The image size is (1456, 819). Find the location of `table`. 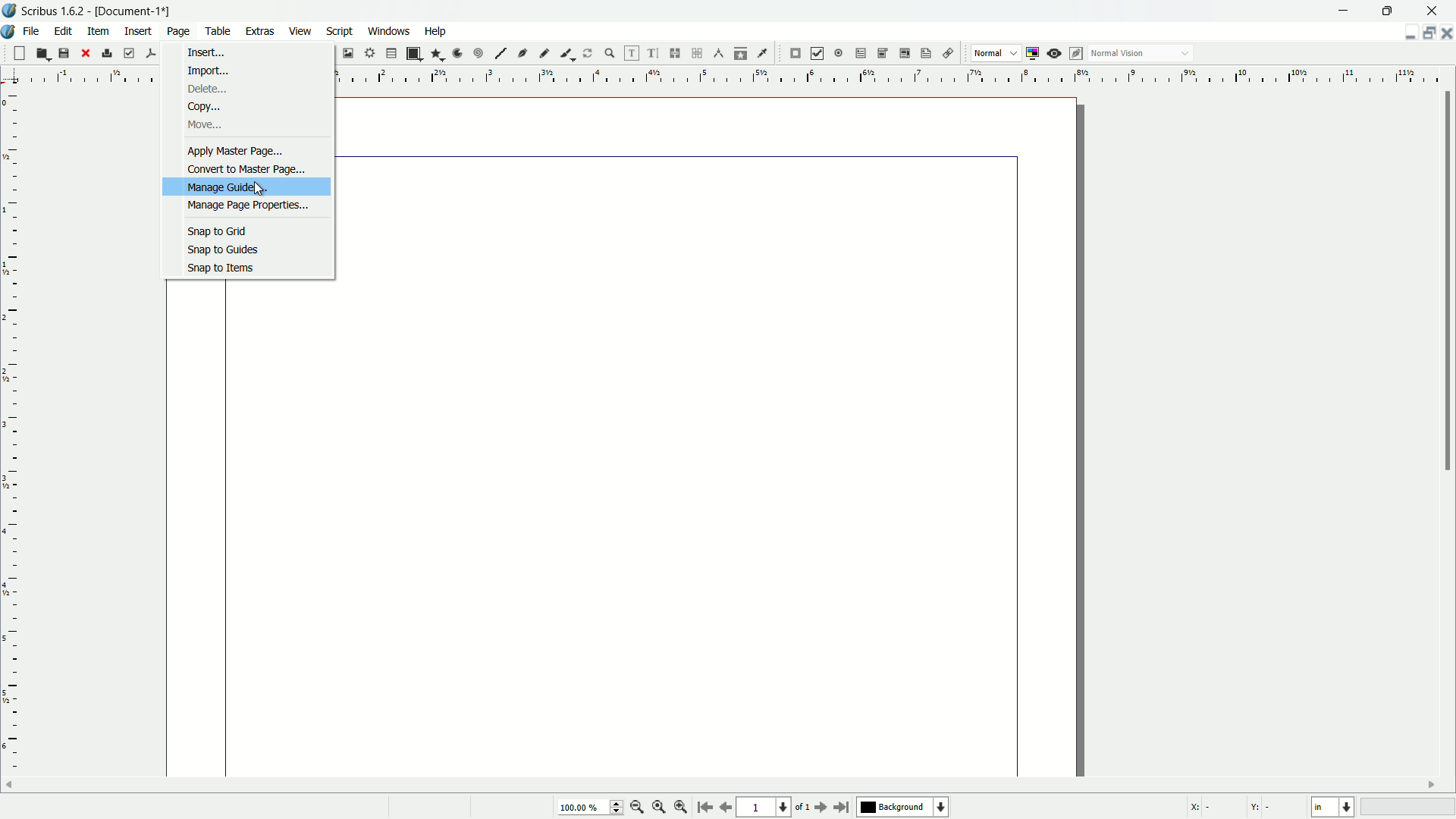

table is located at coordinates (391, 54).